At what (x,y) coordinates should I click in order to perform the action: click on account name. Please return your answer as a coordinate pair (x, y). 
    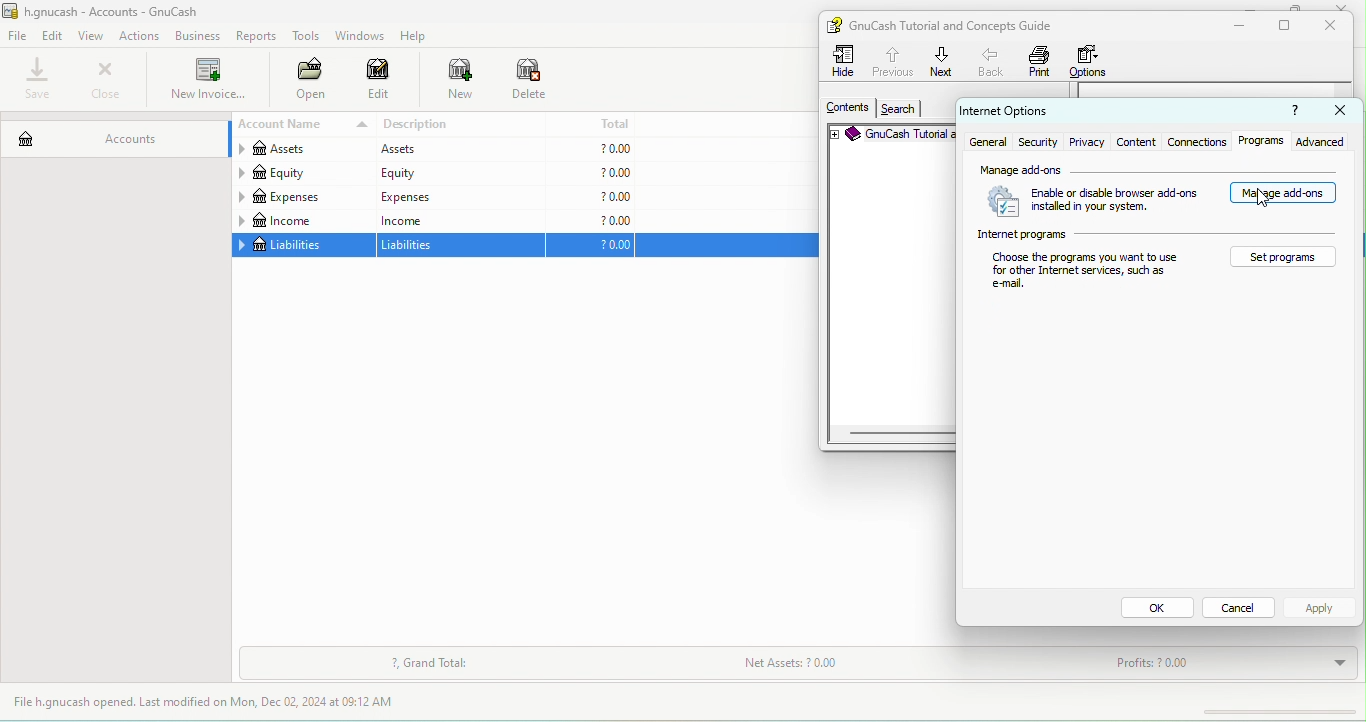
    Looking at the image, I should click on (300, 125).